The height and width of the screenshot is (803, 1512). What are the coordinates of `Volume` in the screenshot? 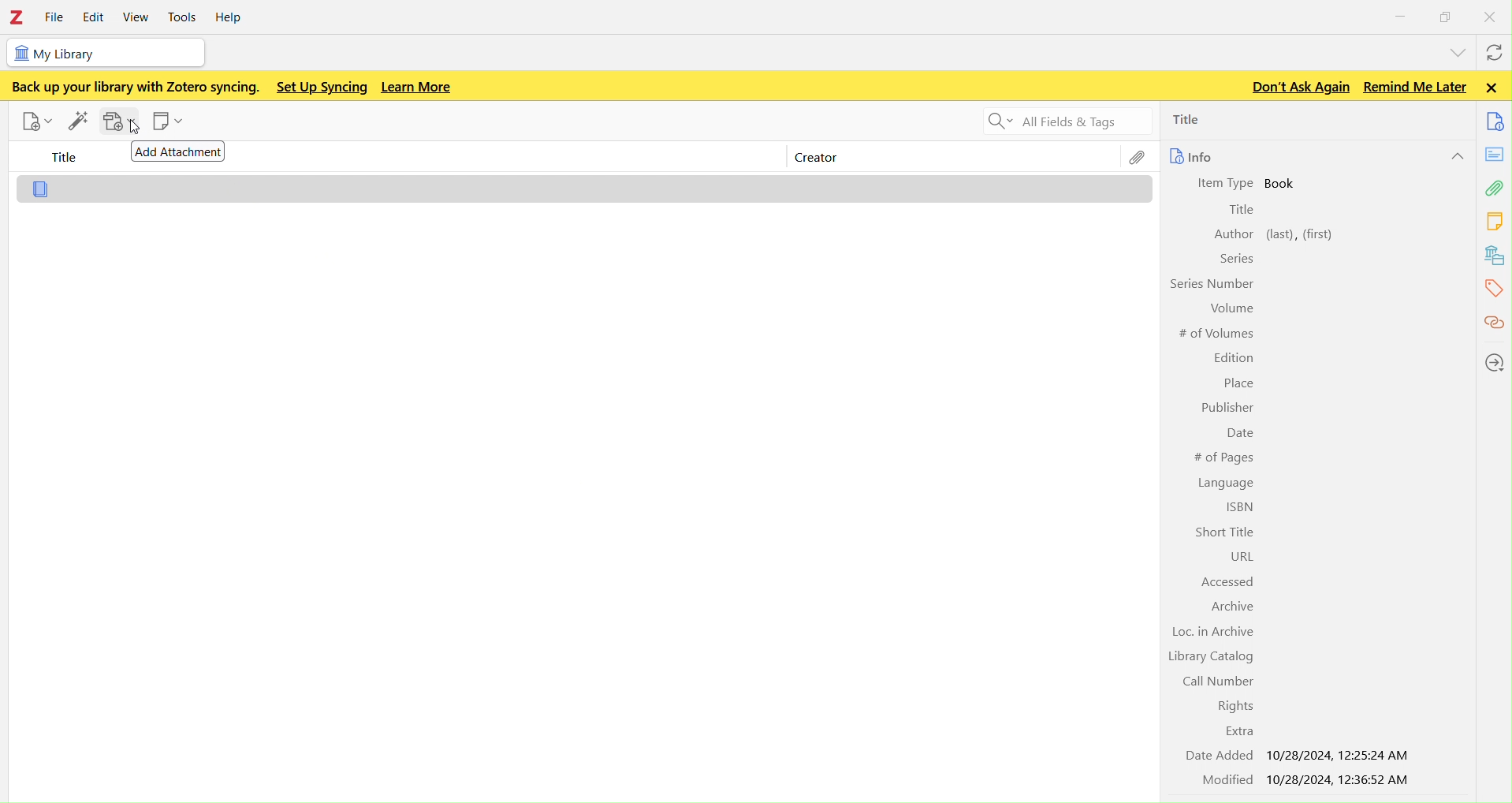 It's located at (1229, 308).